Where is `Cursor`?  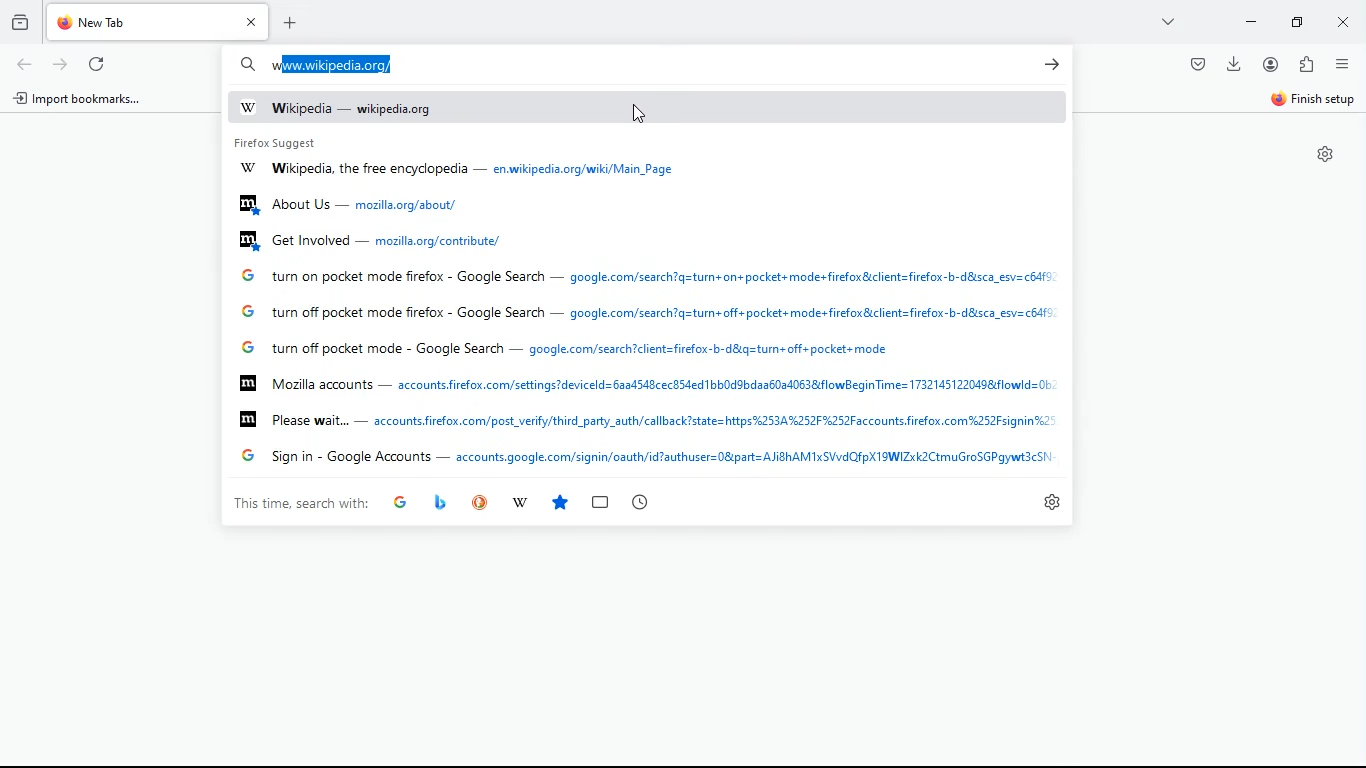
Cursor is located at coordinates (642, 115).